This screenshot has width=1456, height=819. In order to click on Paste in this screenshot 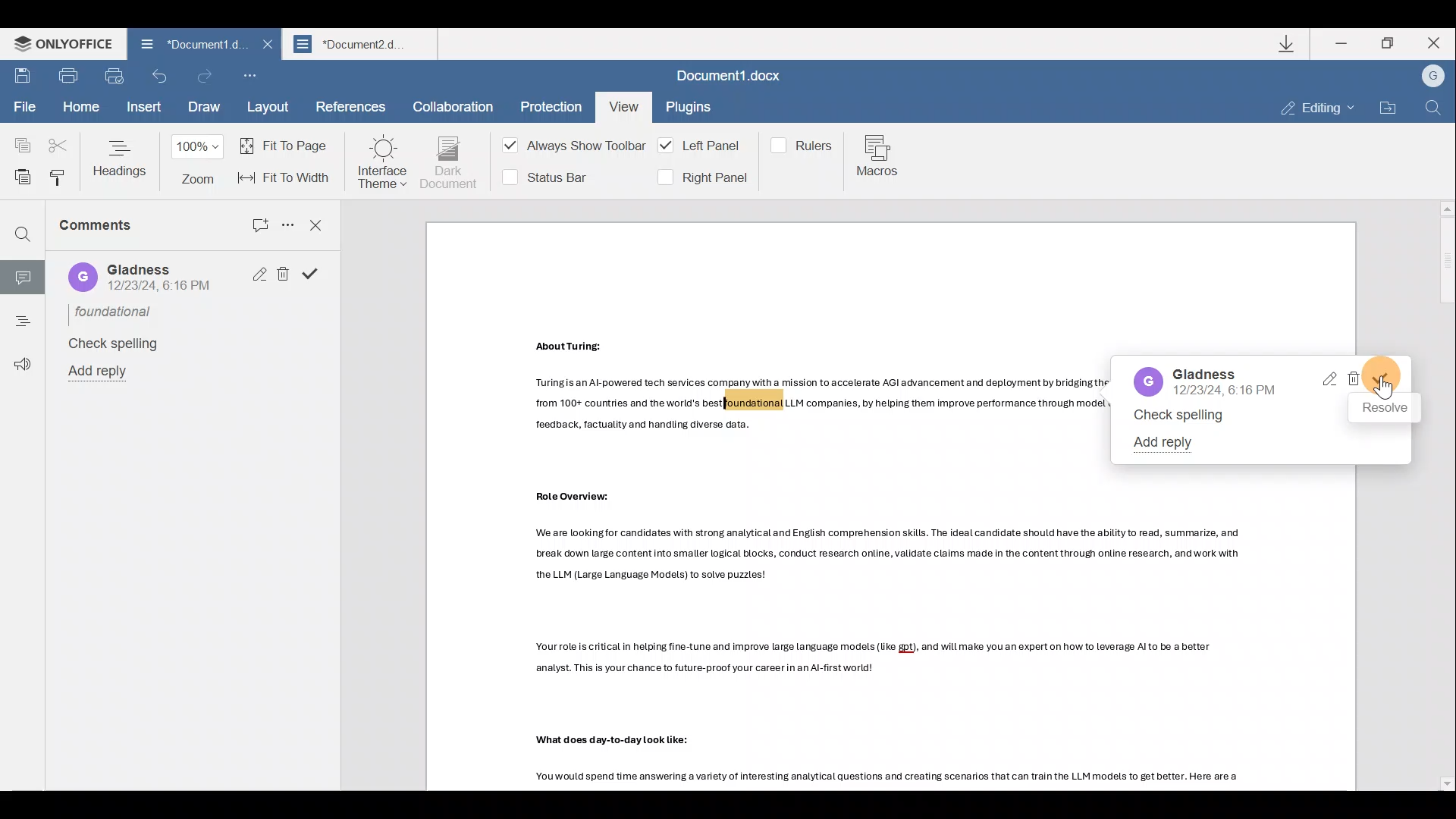, I will do `click(18, 174)`.